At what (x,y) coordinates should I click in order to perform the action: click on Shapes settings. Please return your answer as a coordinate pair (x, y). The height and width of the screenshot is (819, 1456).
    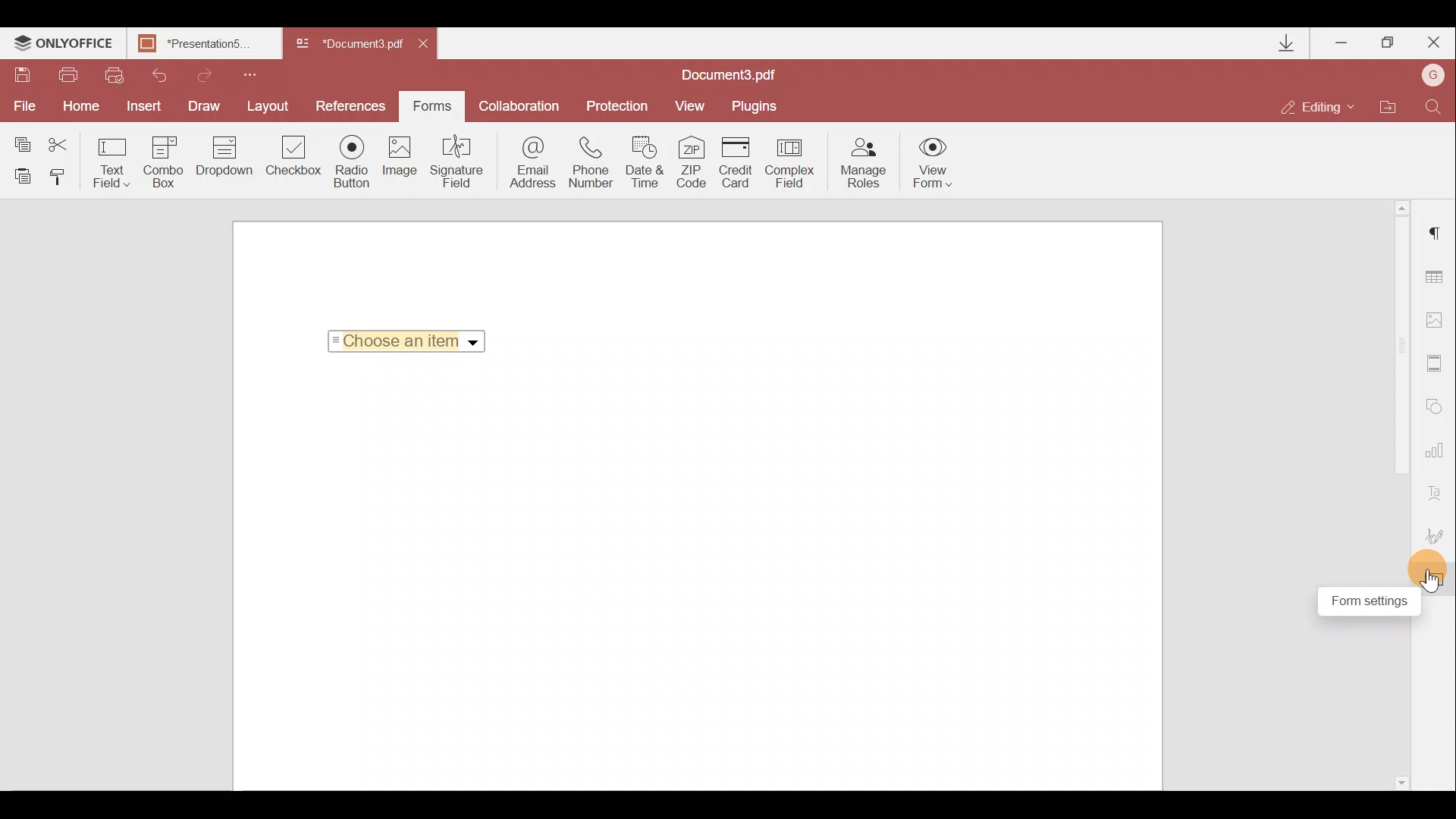
    Looking at the image, I should click on (1437, 409).